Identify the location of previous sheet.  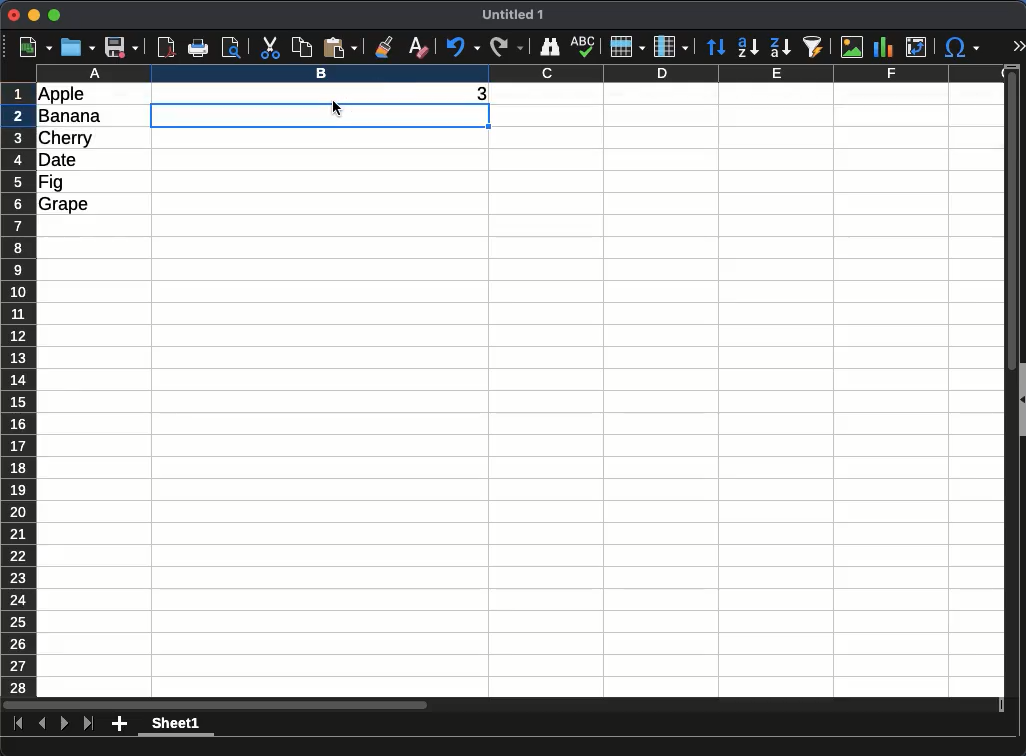
(42, 724).